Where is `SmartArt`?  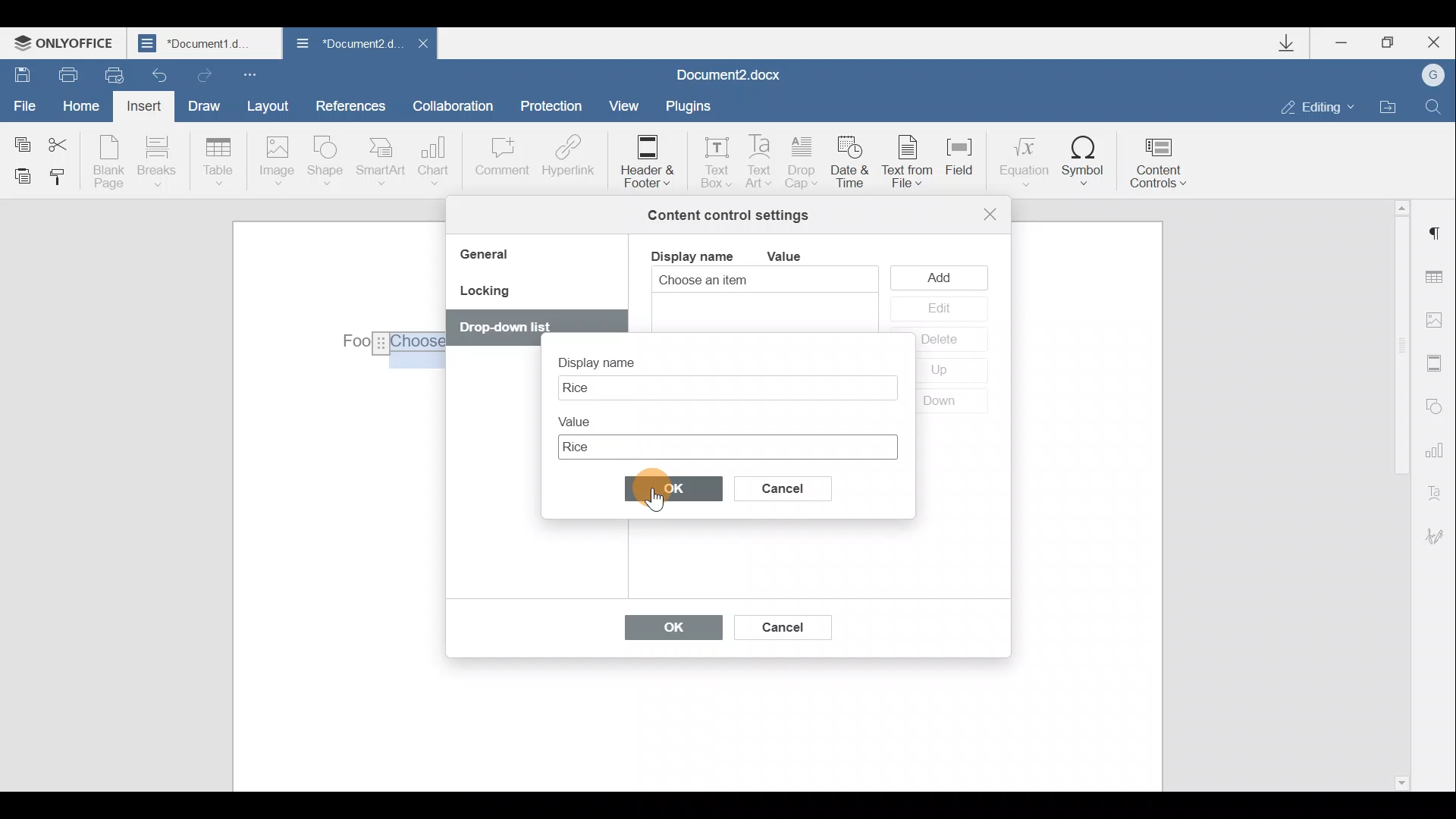 SmartArt is located at coordinates (381, 160).